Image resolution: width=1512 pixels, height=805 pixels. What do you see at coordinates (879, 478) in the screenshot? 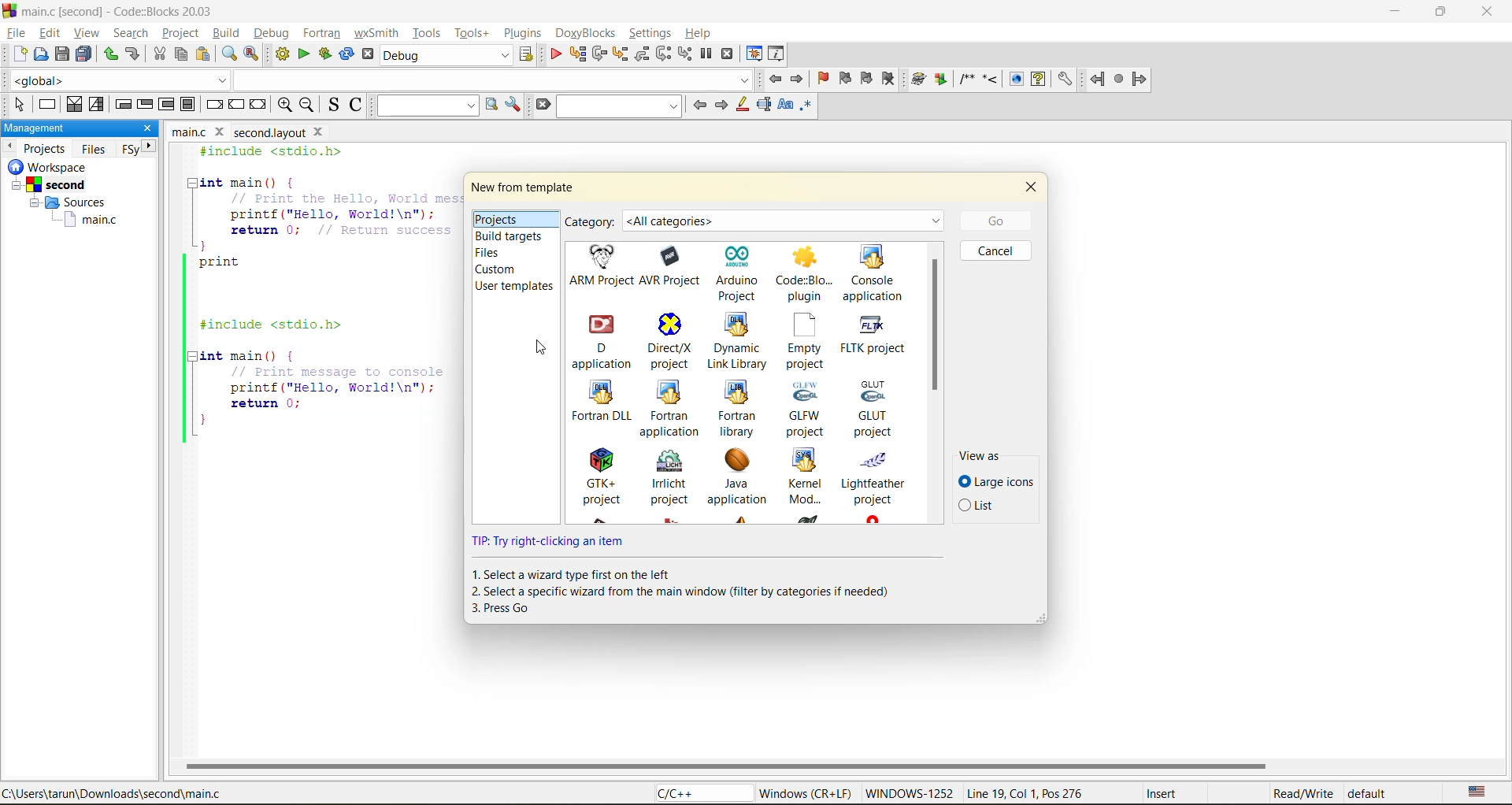
I see `lightfeather project` at bounding box center [879, 478].